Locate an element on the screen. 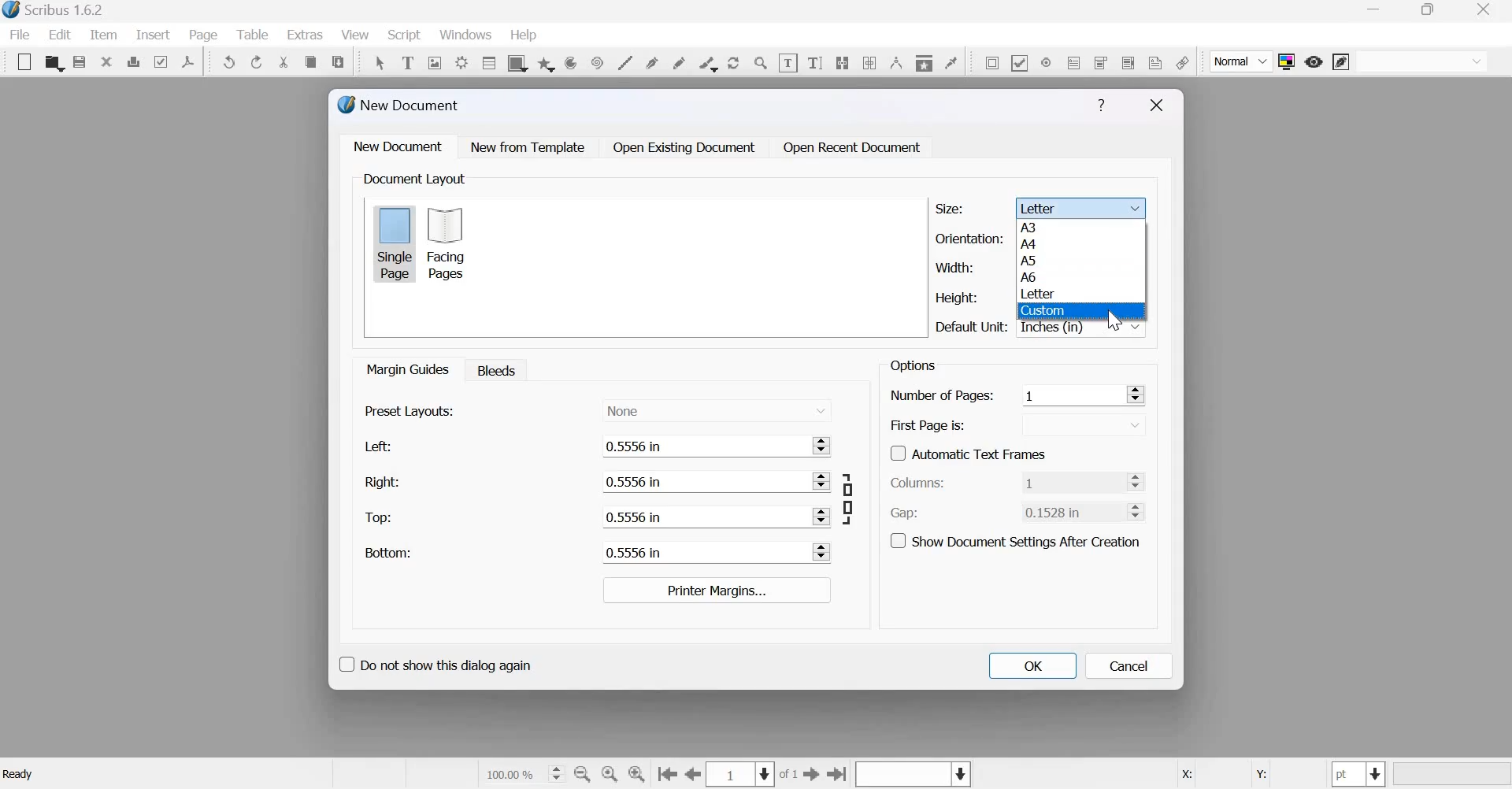 Image resolution: width=1512 pixels, height=789 pixels. Inches (in) is located at coordinates (1084, 329).